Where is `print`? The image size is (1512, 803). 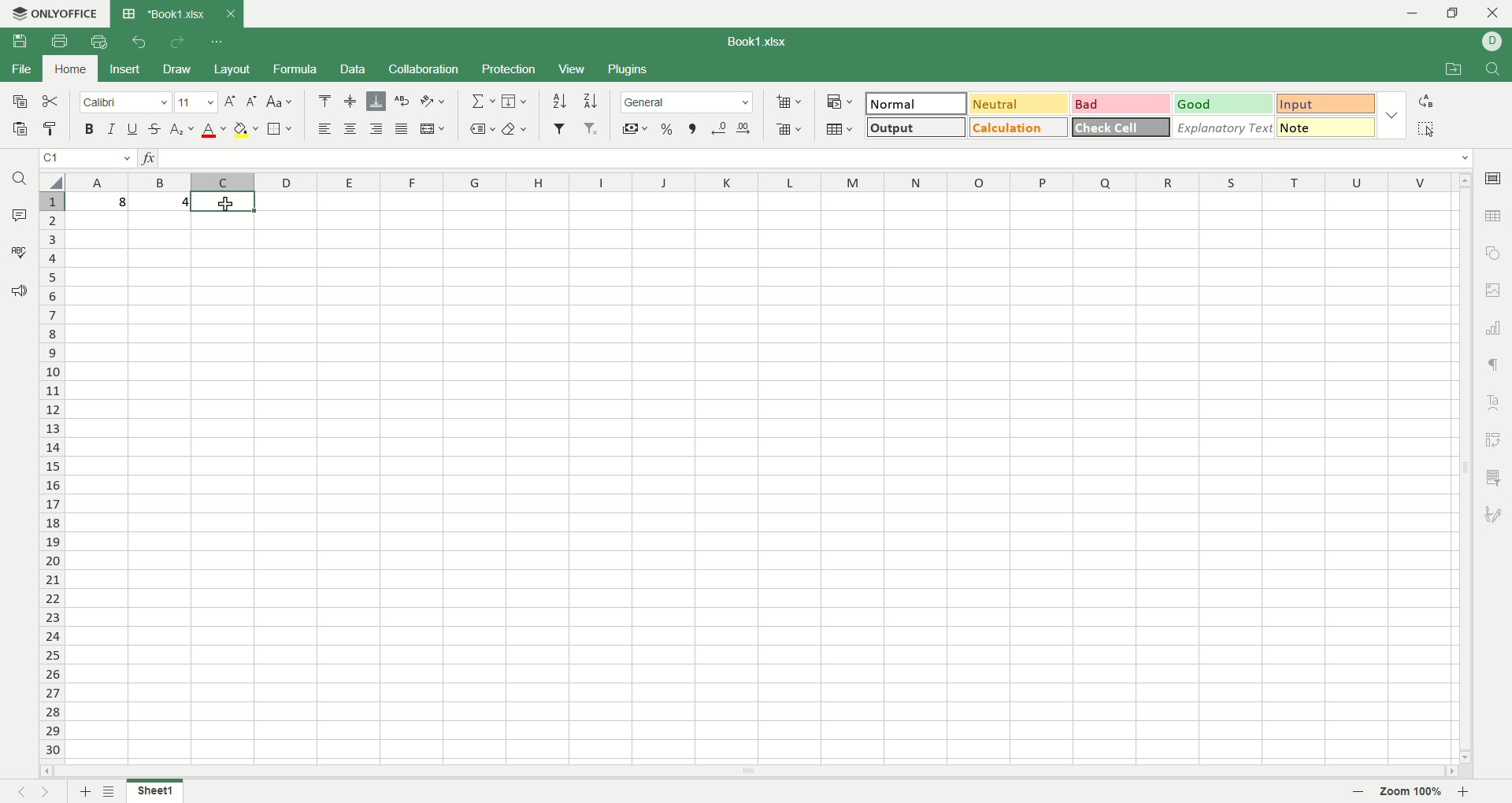 print is located at coordinates (60, 42).